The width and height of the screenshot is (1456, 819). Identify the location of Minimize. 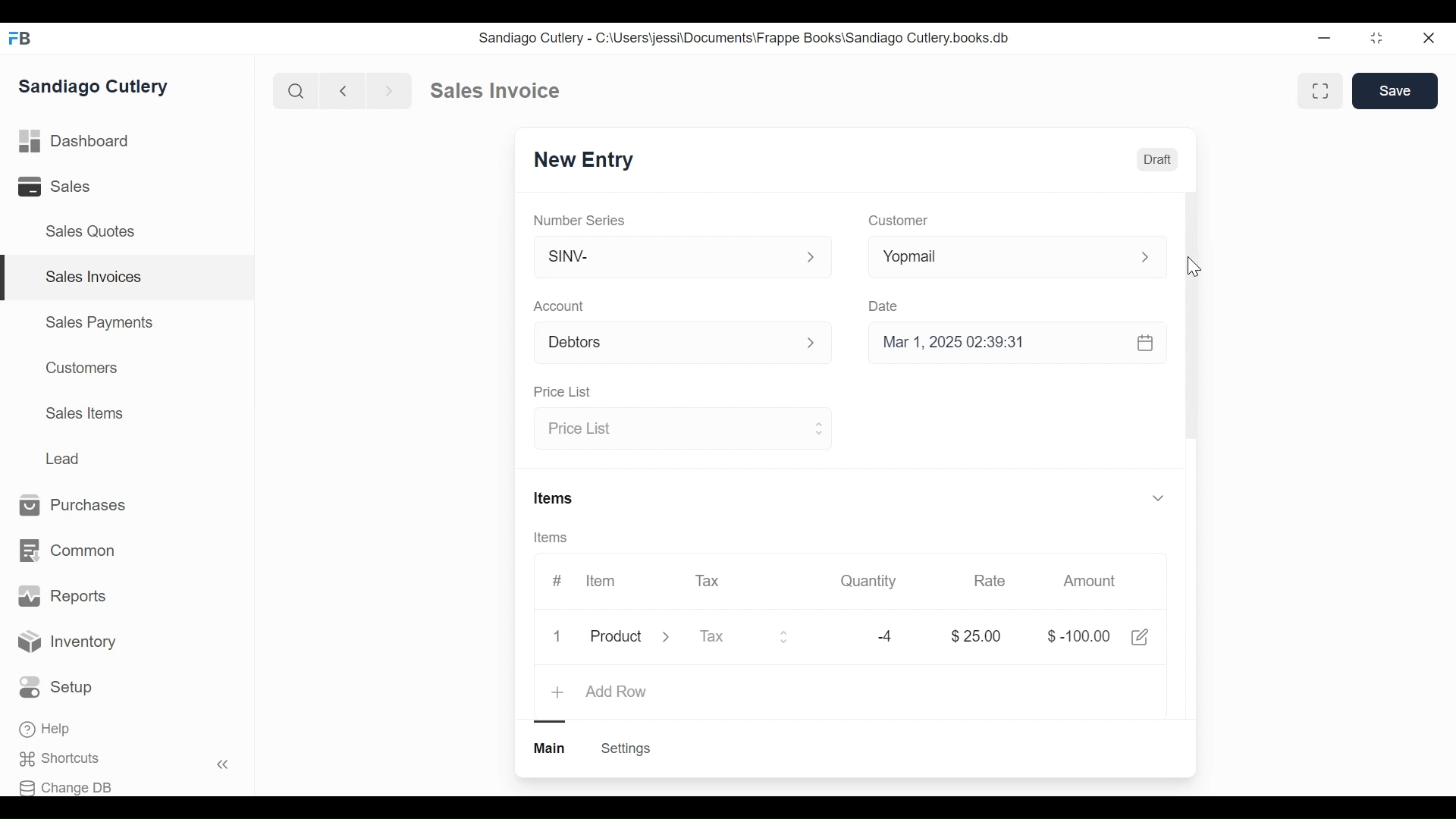
(1323, 38).